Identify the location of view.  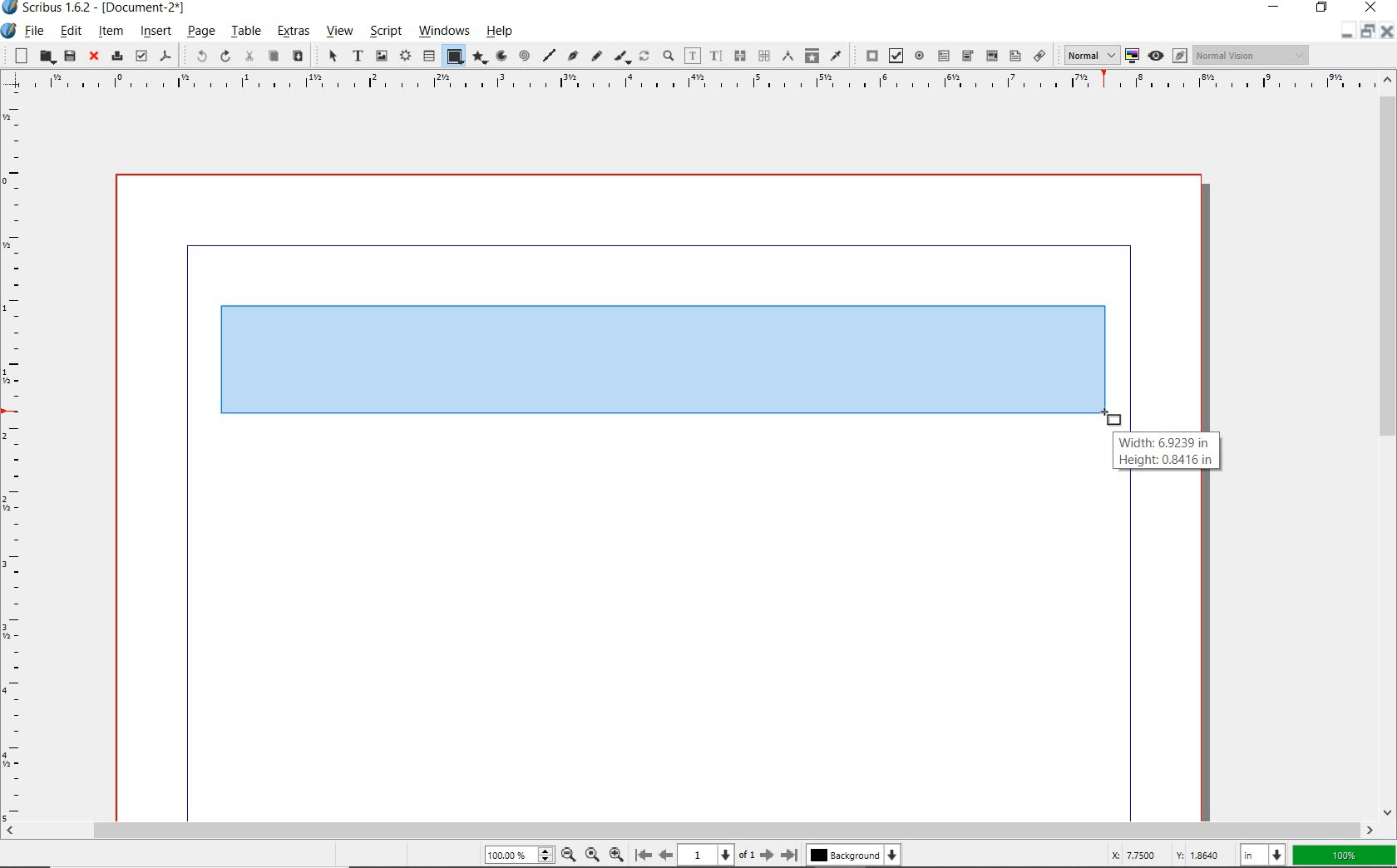
(341, 32).